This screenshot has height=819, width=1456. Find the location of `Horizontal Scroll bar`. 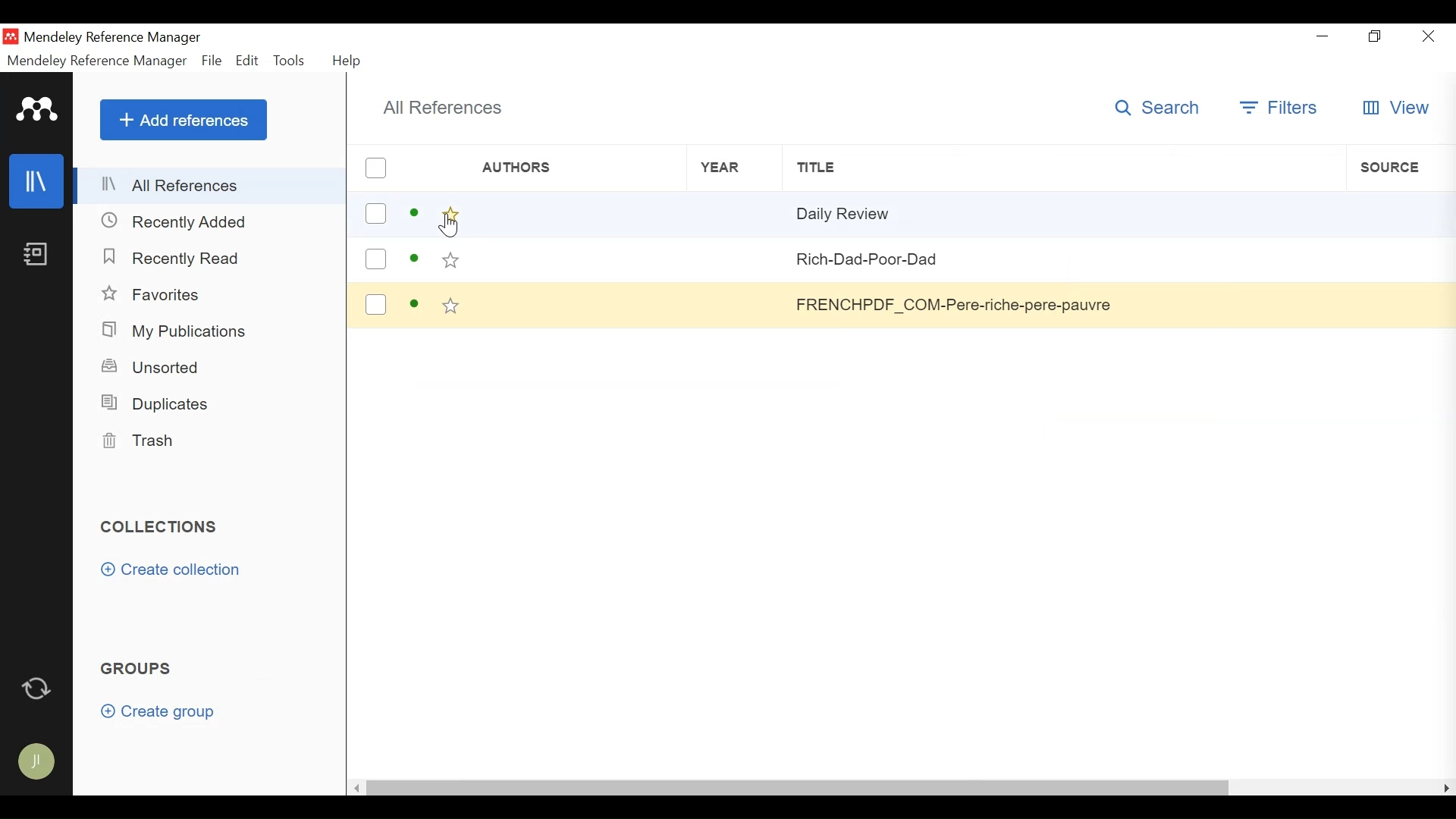

Horizontal Scroll bar is located at coordinates (797, 788).